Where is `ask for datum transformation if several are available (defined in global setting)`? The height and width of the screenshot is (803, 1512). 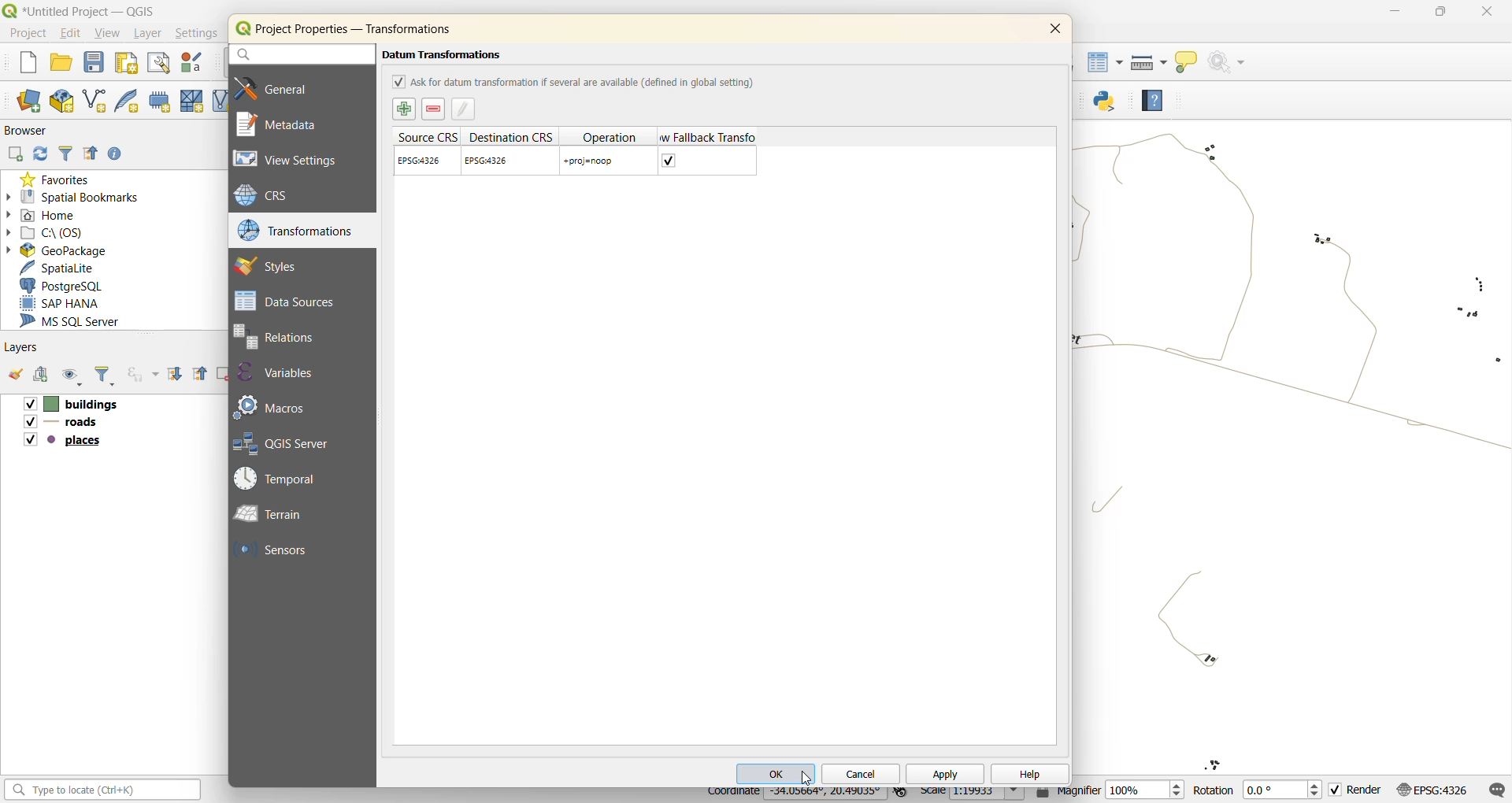
ask for datum transformation if several are available (defined in global setting) is located at coordinates (574, 81).